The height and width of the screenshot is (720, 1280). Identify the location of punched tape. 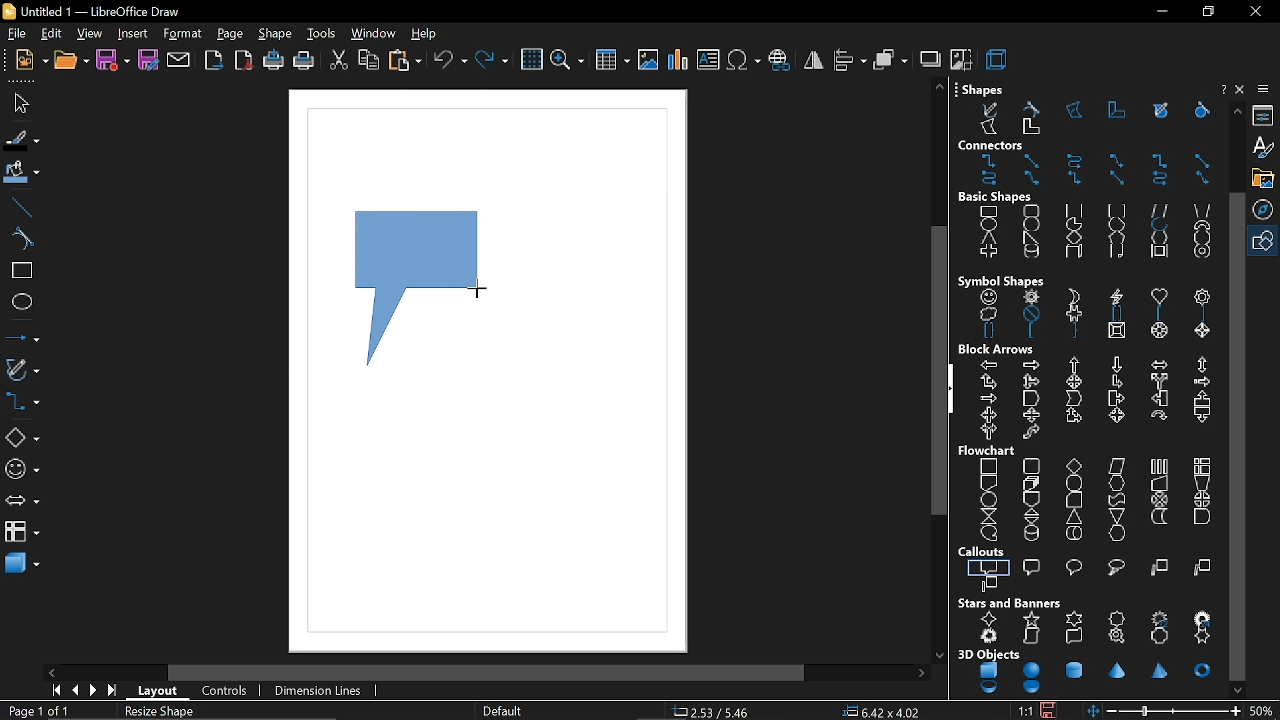
(1115, 499).